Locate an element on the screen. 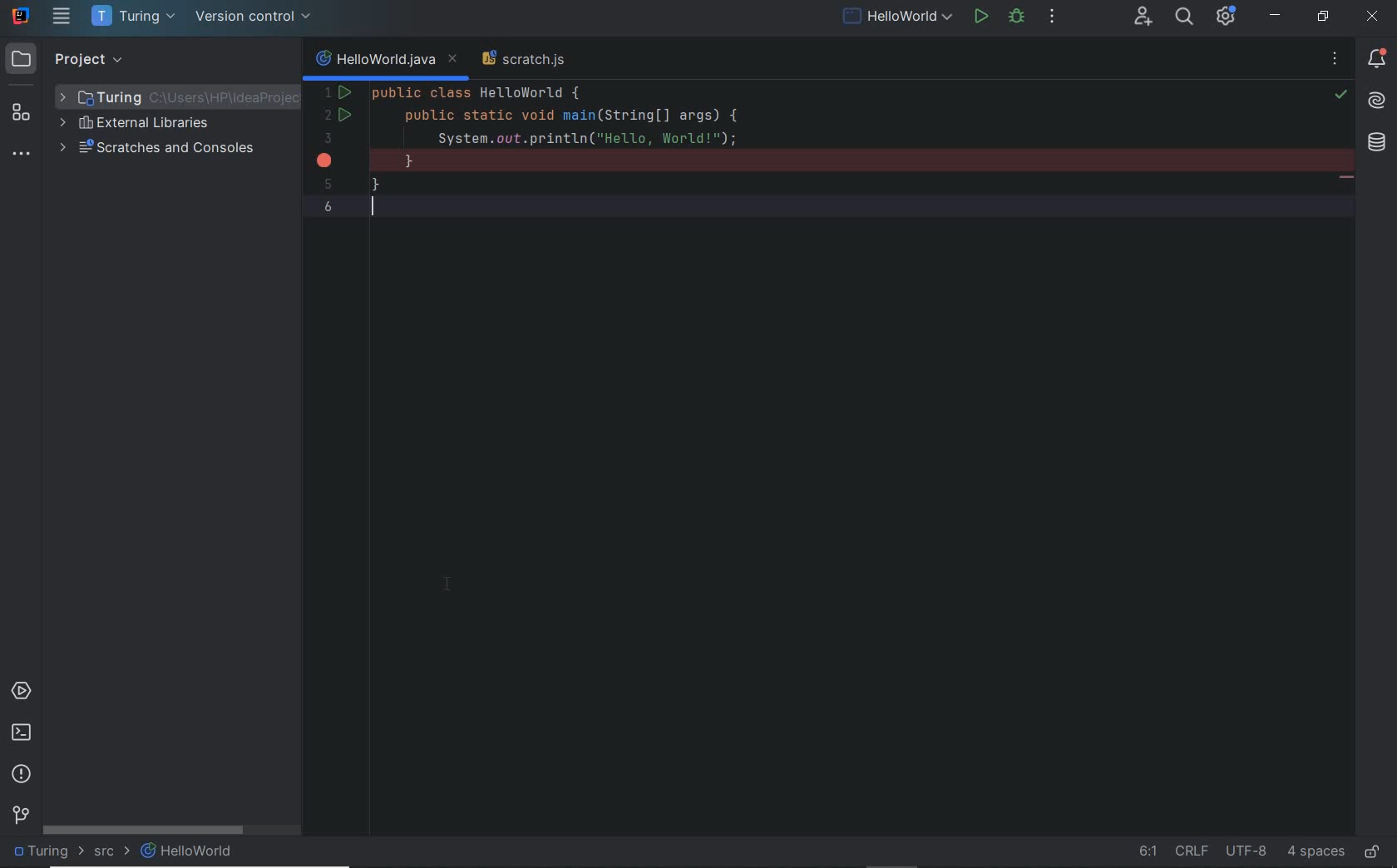 The image size is (1397, 868). database is located at coordinates (1375, 143).